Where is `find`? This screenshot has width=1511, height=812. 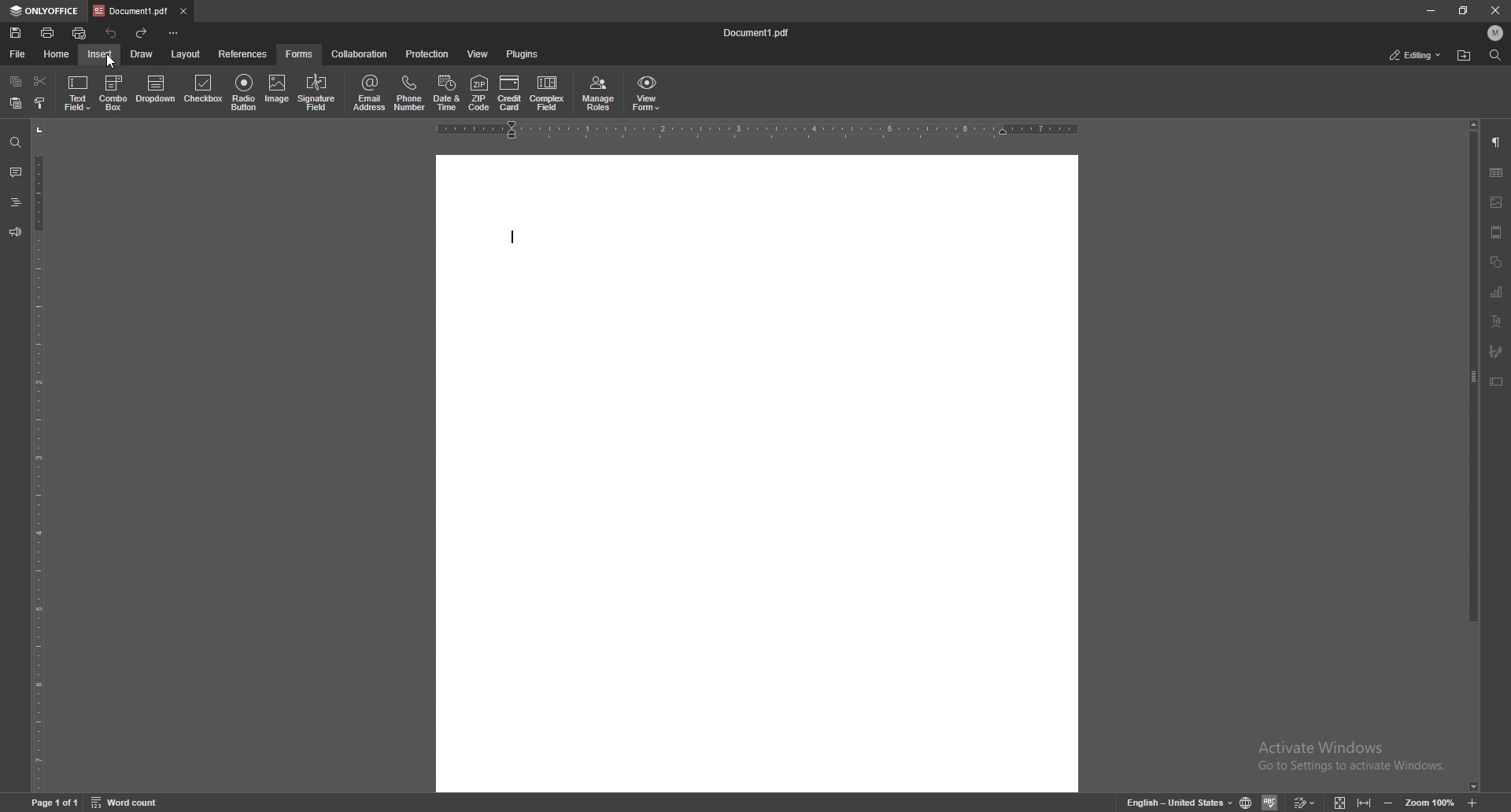
find is located at coordinates (16, 142).